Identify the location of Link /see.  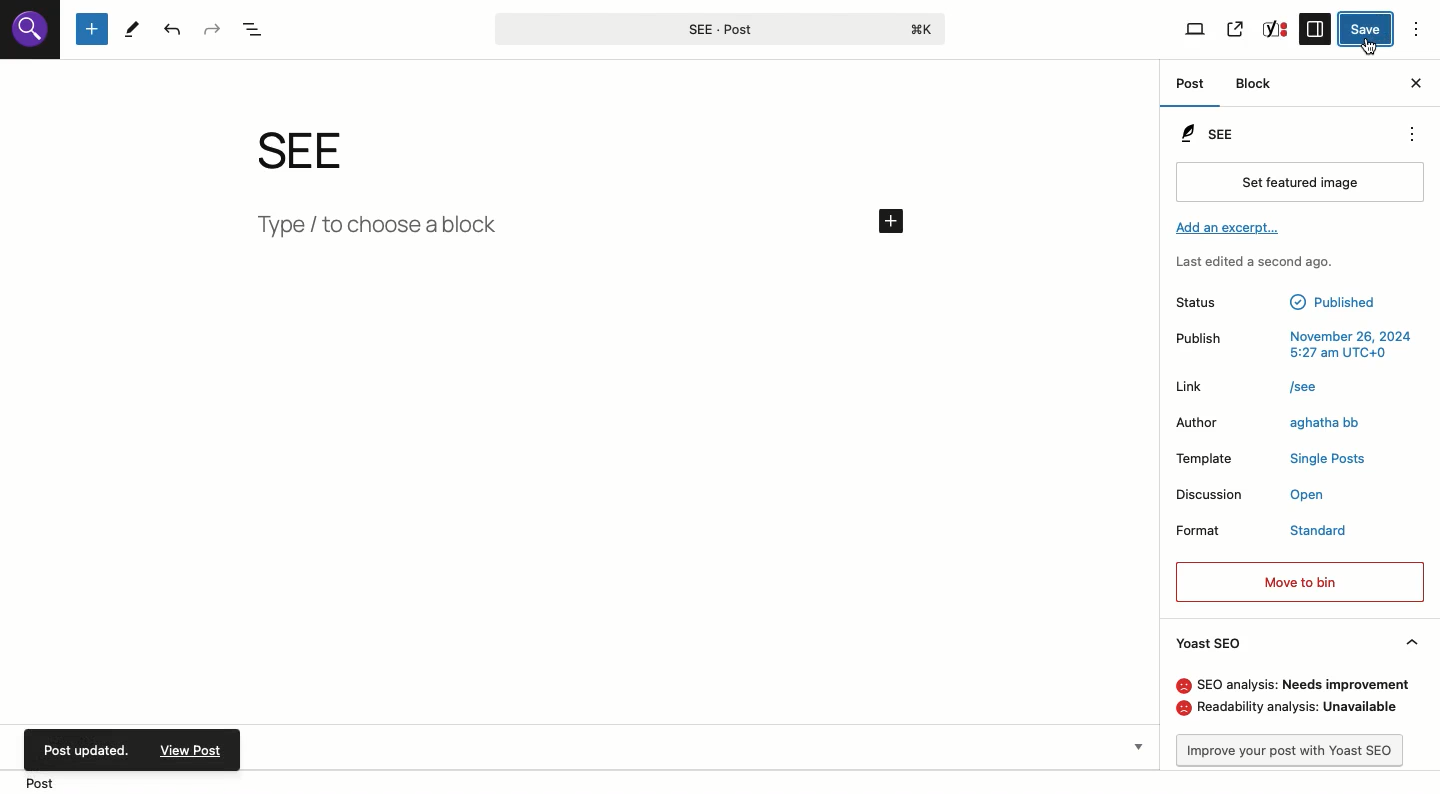
(1257, 390).